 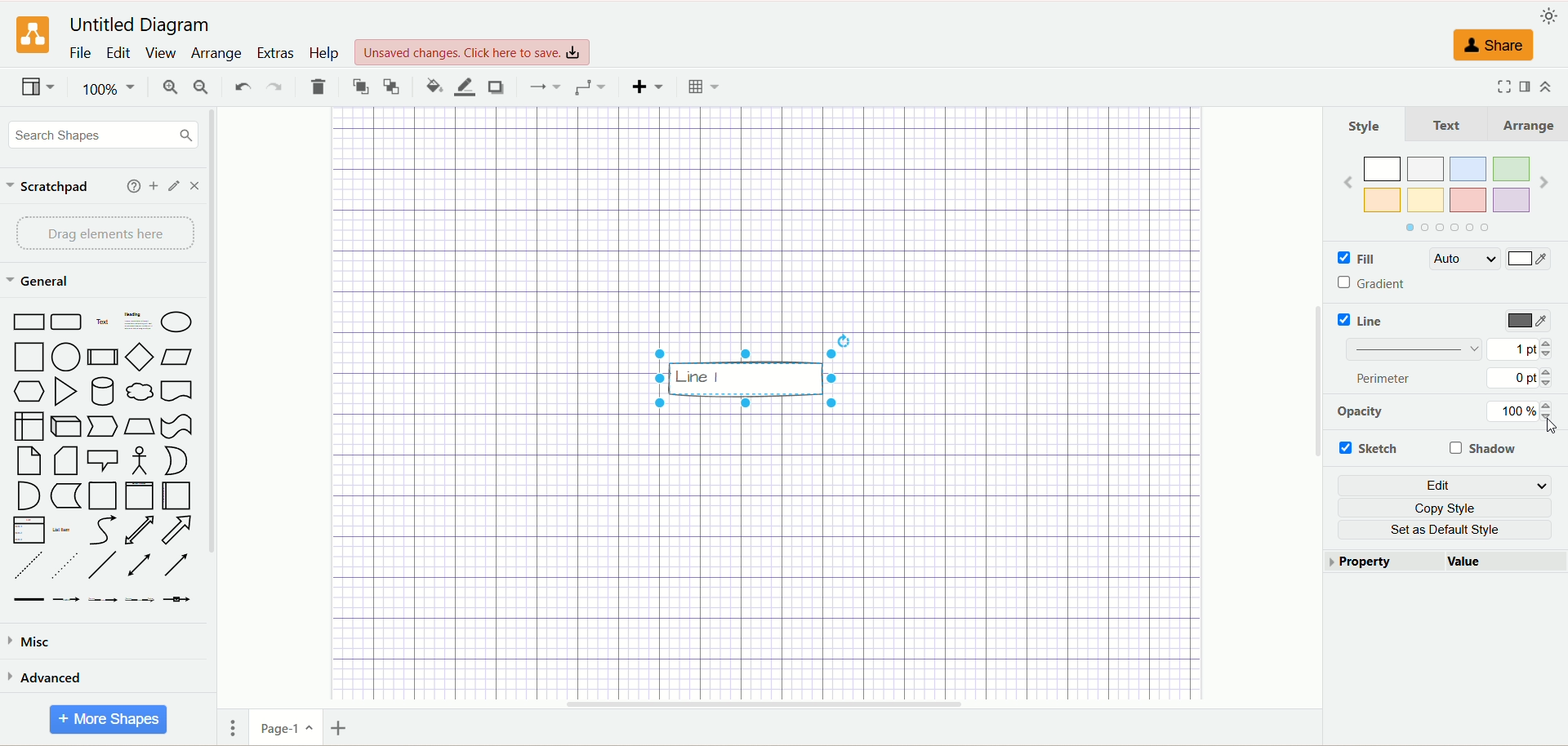 I want to click on logo, so click(x=31, y=35).